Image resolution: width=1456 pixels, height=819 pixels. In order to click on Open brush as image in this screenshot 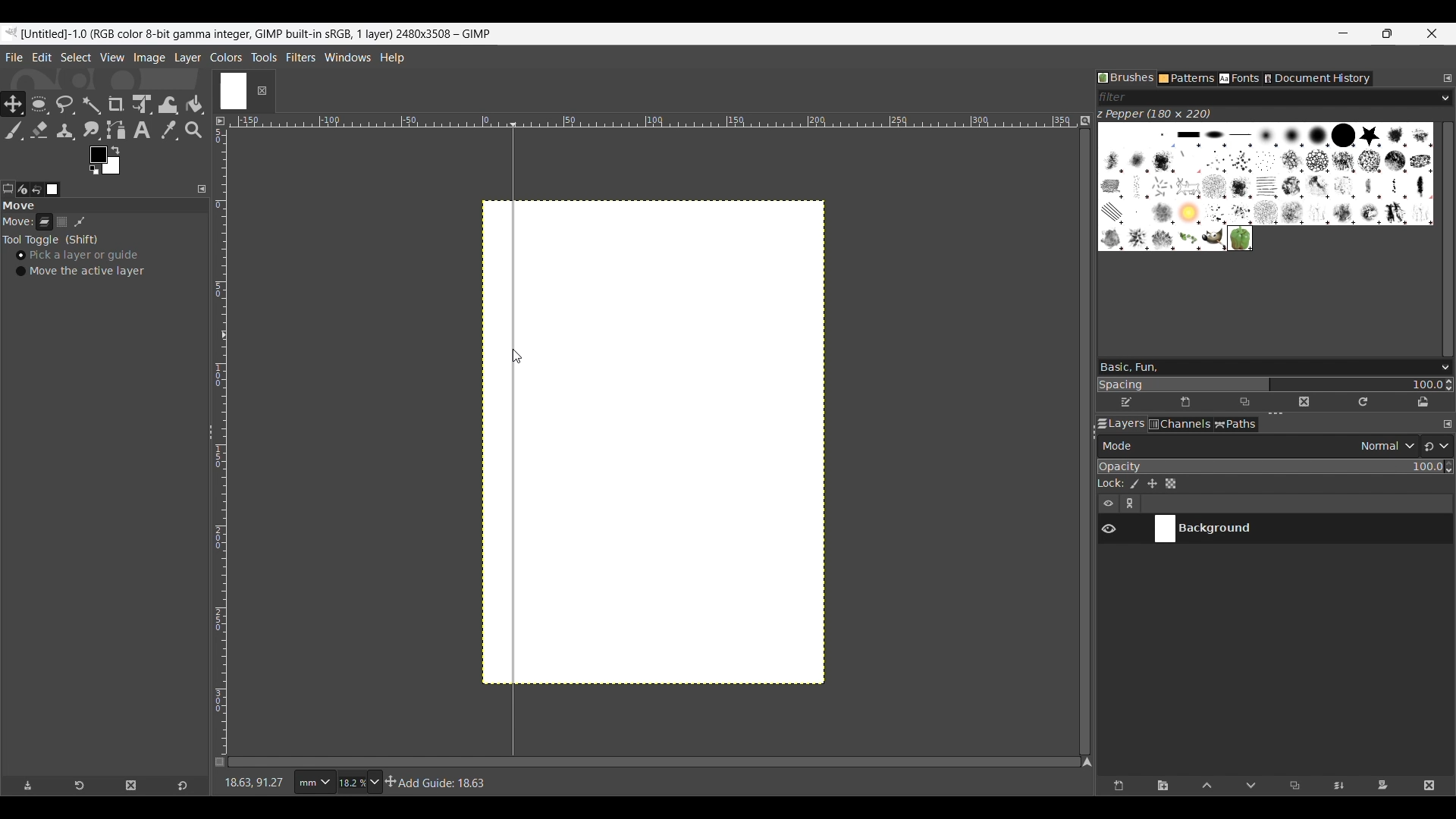, I will do `click(1423, 403)`.